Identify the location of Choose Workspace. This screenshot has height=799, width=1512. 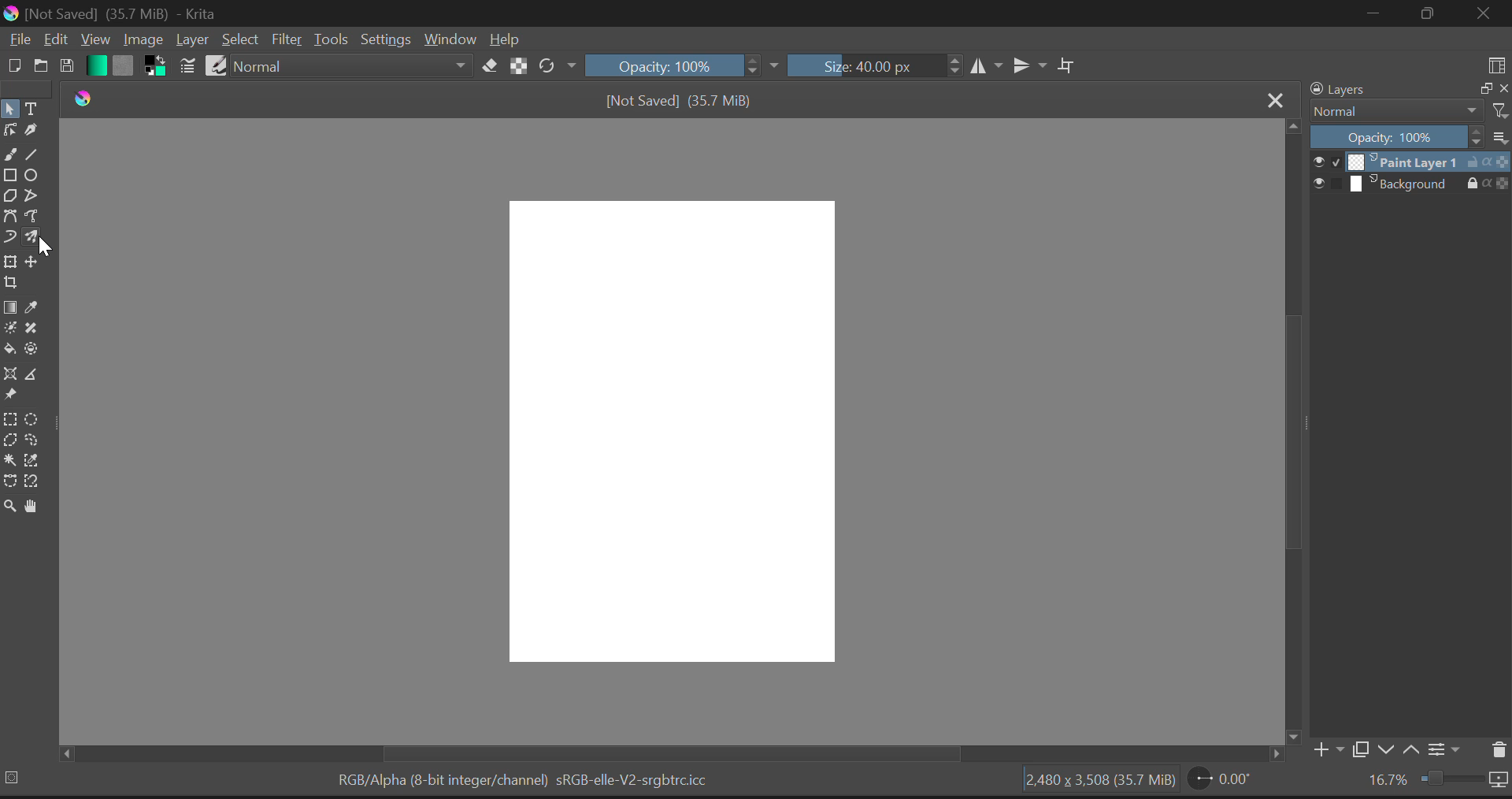
(1498, 64).